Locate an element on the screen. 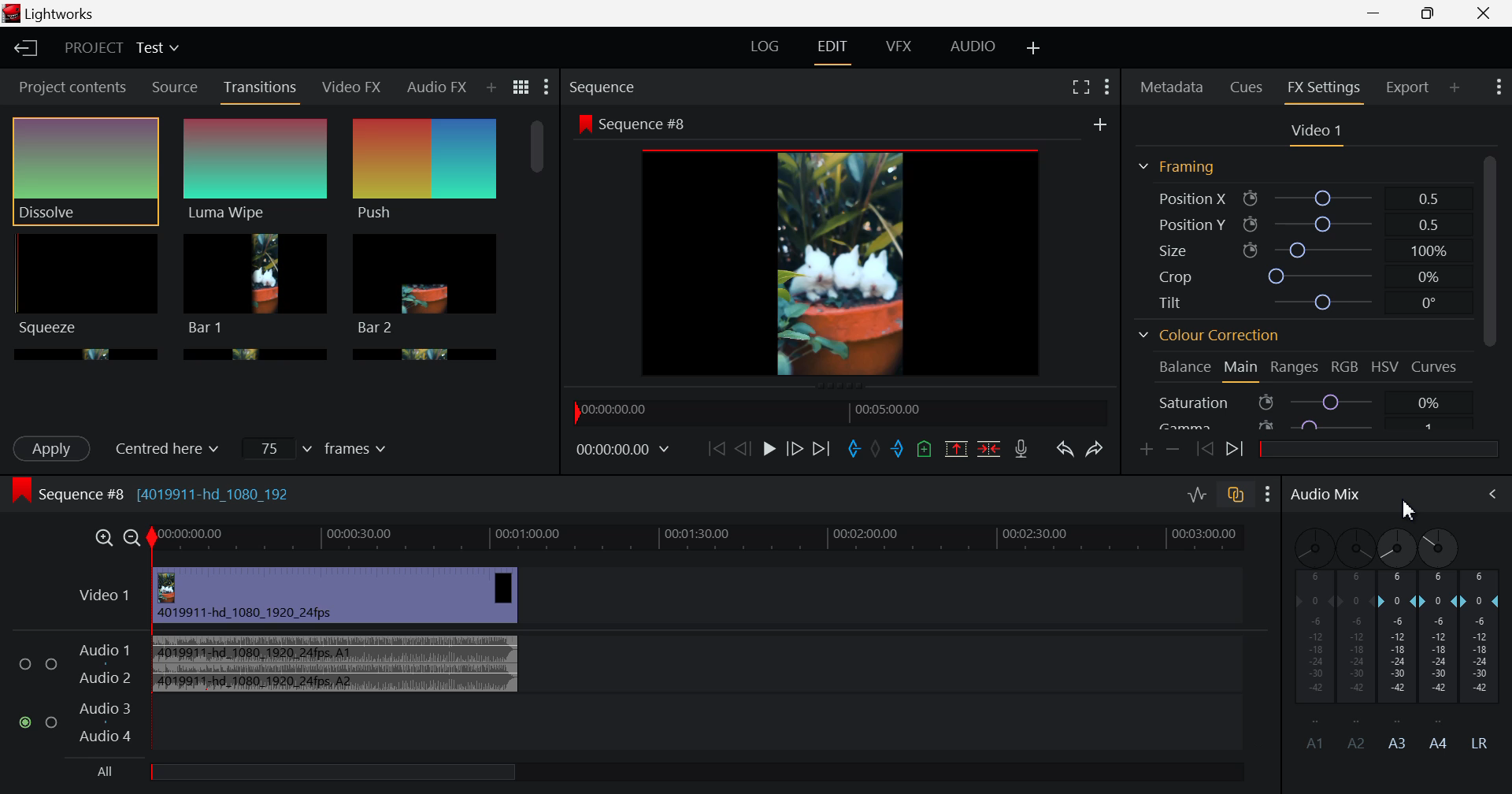 The height and width of the screenshot is (794, 1512). Curves is located at coordinates (1433, 366).